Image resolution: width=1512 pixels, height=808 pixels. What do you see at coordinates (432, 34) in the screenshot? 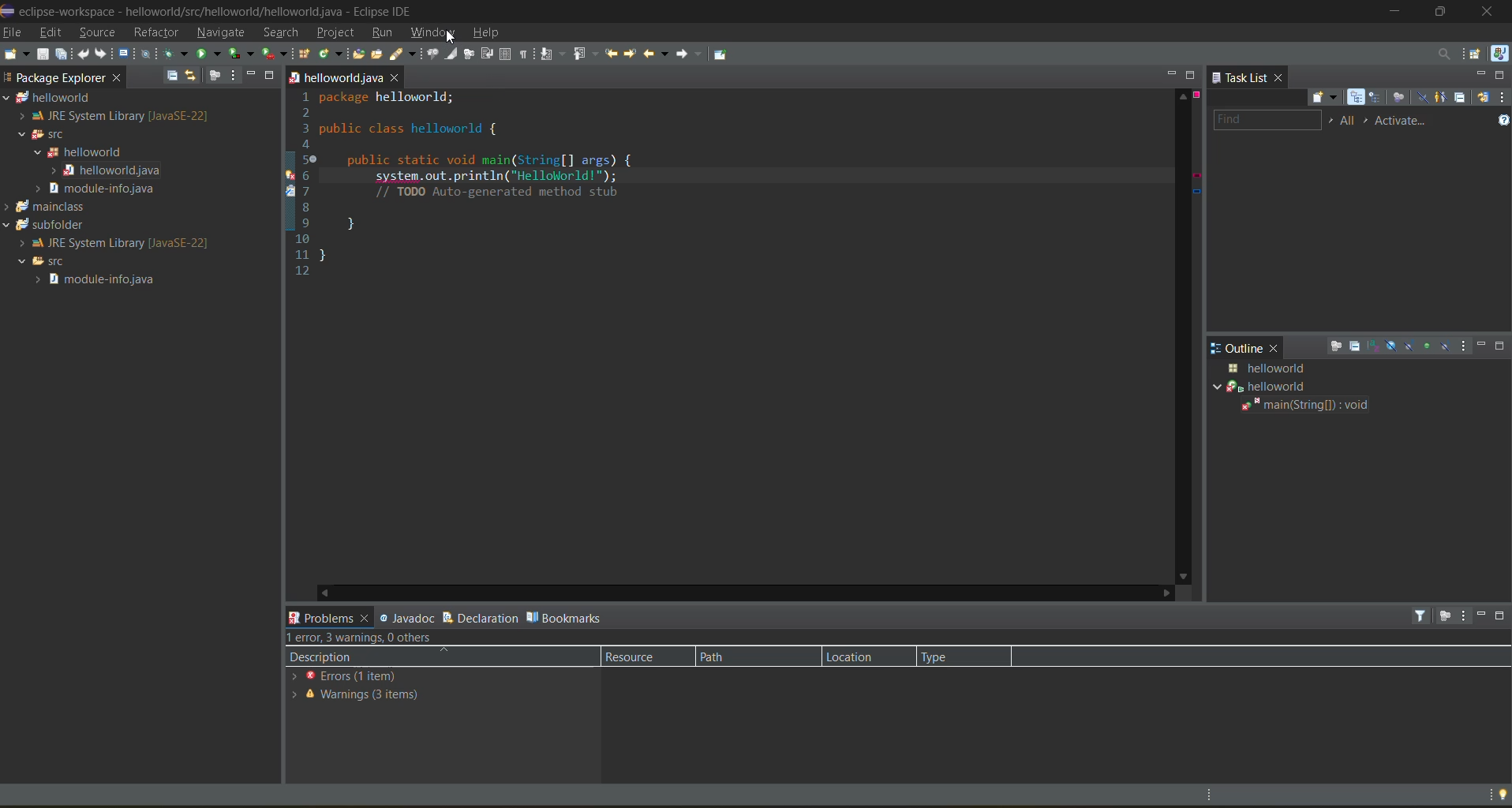
I see `window` at bounding box center [432, 34].